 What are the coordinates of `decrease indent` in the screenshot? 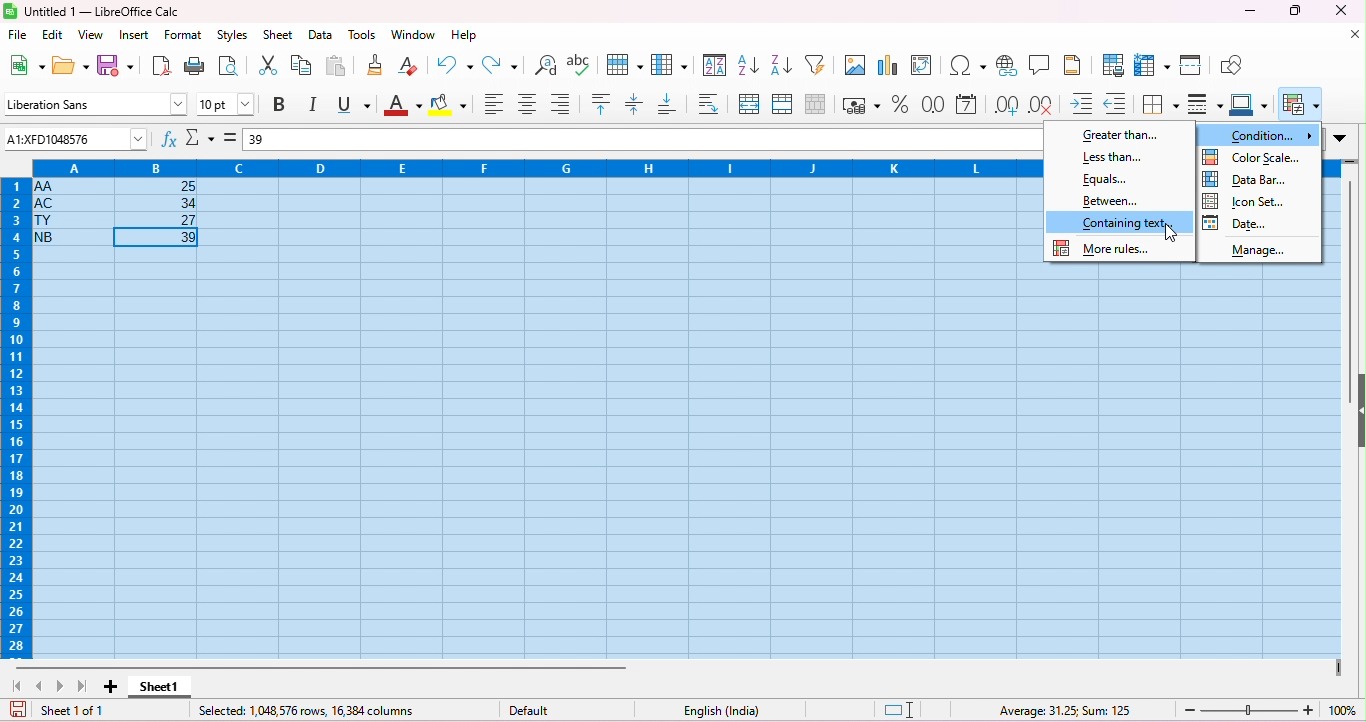 It's located at (1115, 104).